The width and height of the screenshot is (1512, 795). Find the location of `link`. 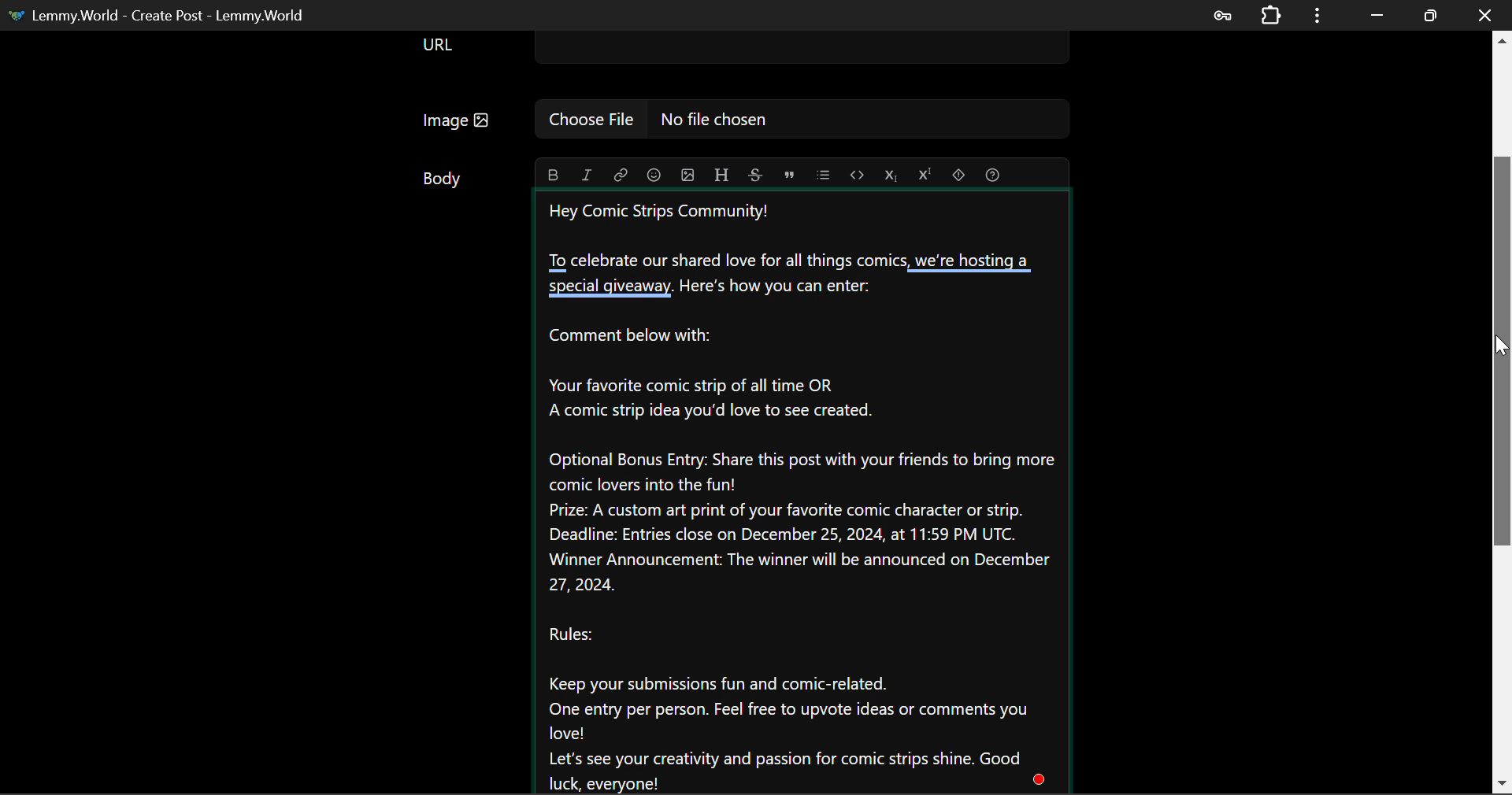

link is located at coordinates (587, 175).